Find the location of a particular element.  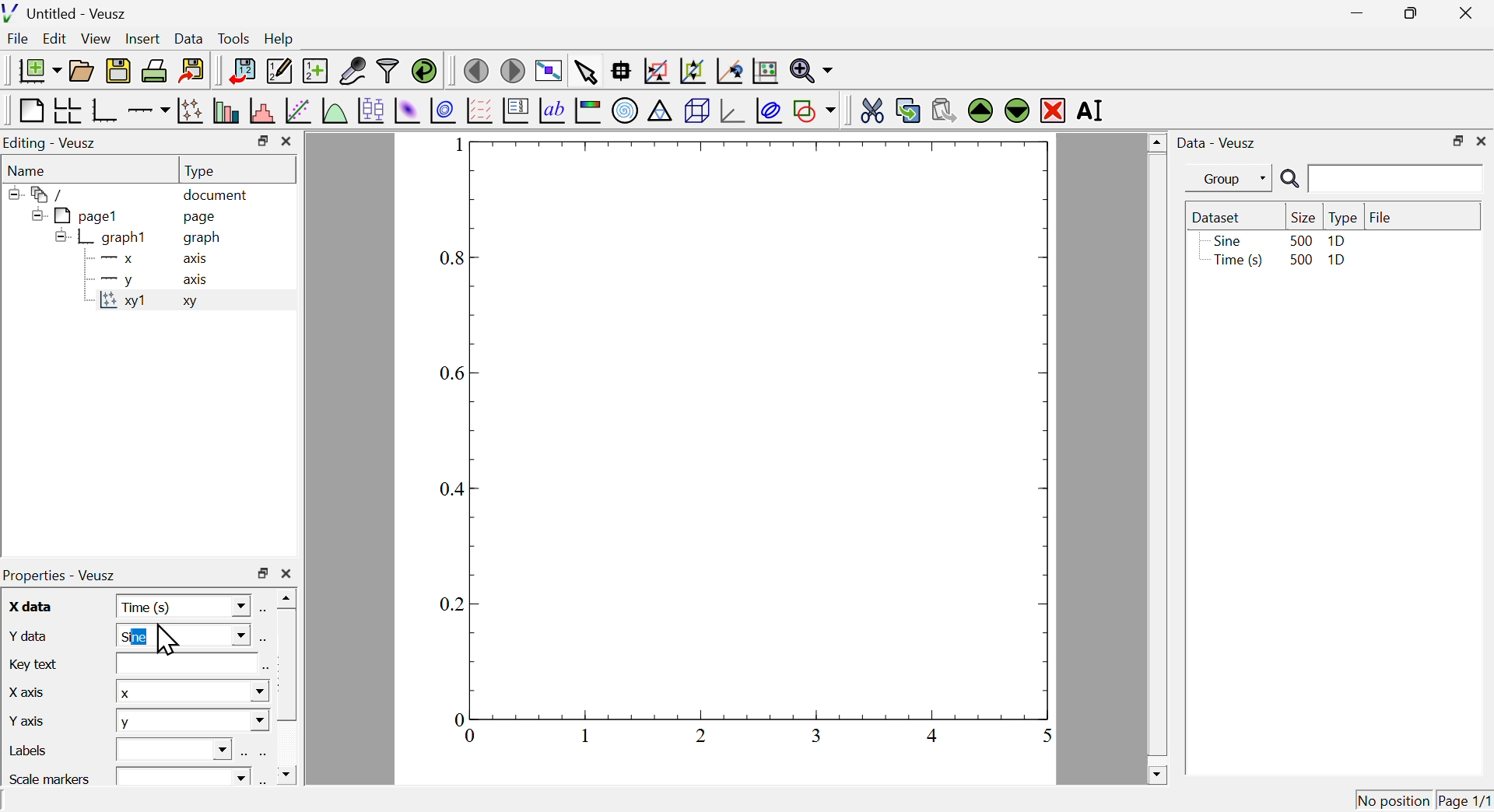

recenter graph axes is located at coordinates (731, 71).